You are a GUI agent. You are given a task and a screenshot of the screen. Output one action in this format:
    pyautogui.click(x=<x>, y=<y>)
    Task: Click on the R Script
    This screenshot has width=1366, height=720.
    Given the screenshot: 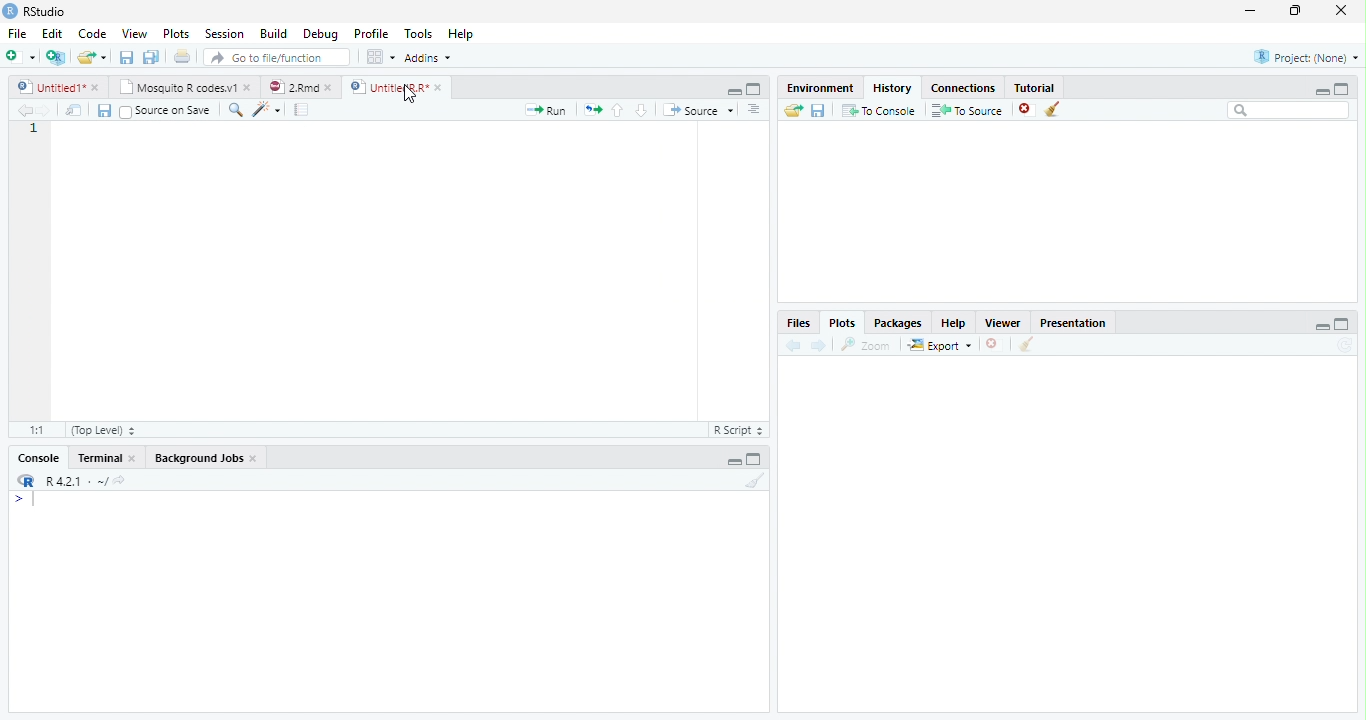 What is the action you would take?
    pyautogui.click(x=738, y=431)
    